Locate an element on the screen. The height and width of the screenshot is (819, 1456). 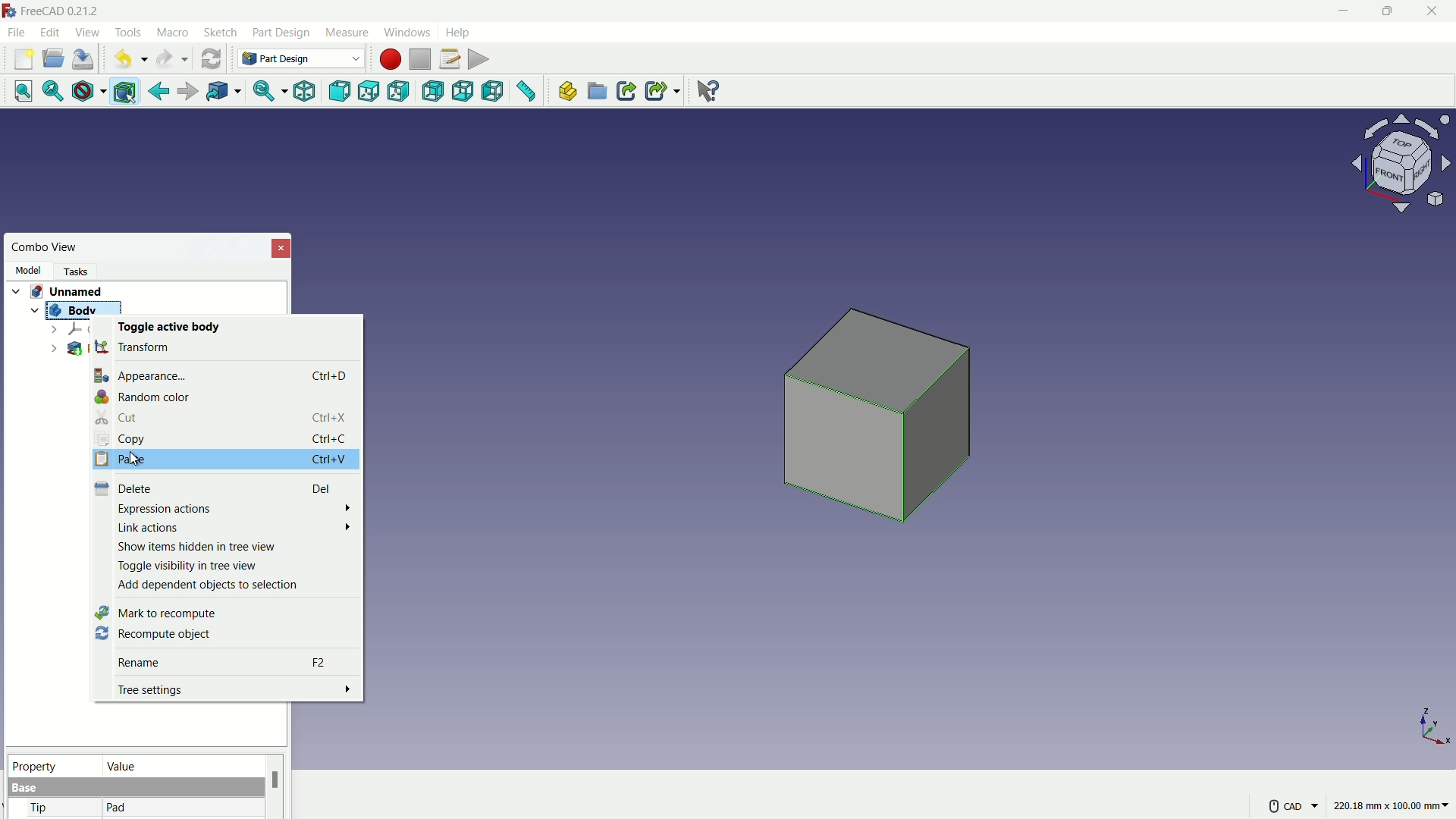
execute macros is located at coordinates (480, 58).